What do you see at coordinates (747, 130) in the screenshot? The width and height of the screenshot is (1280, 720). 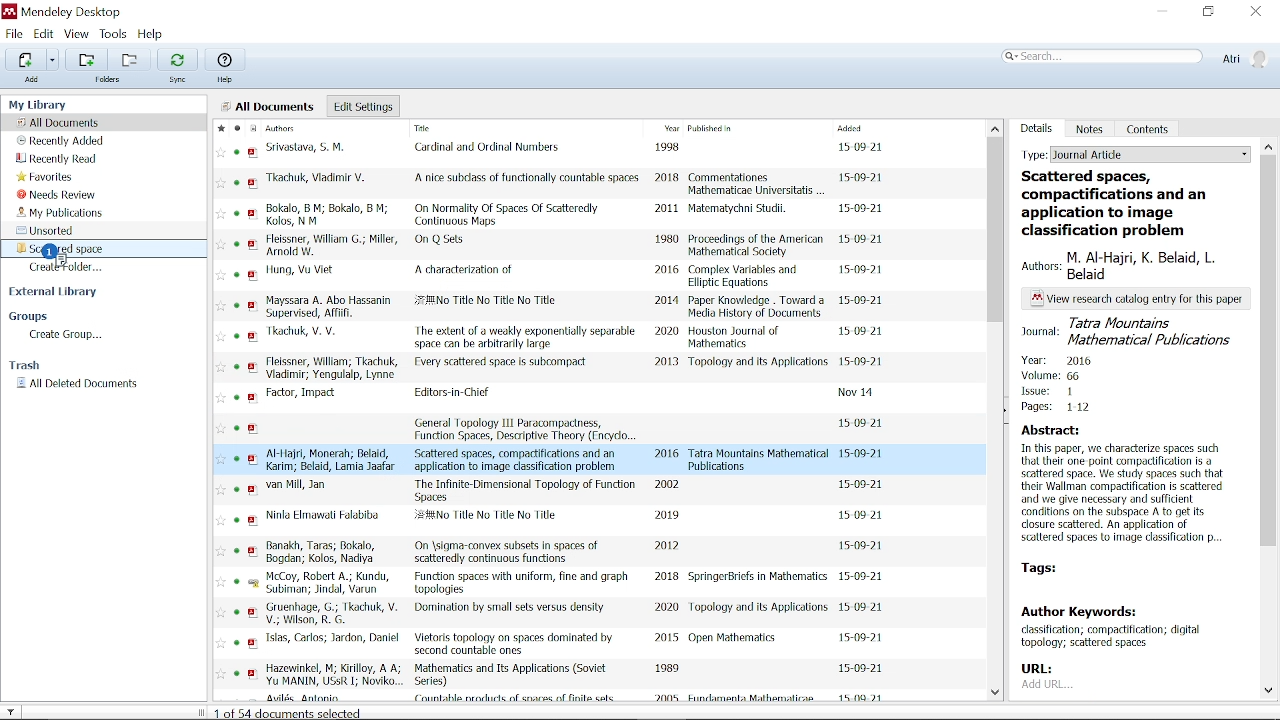 I see `Published in` at bounding box center [747, 130].